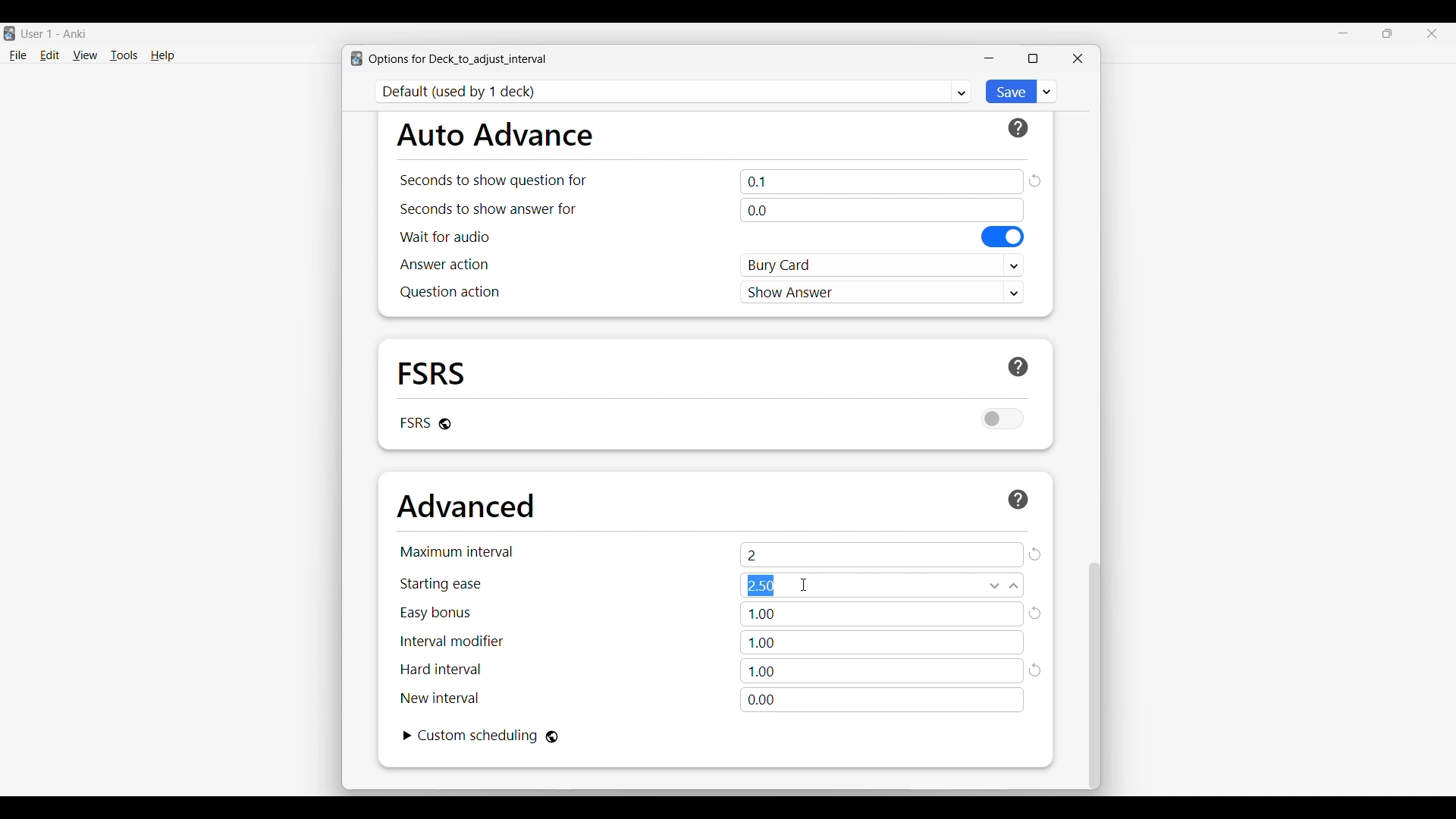 The width and height of the screenshot is (1456, 819). I want to click on Indicates seconds to show answer for, so click(488, 209).